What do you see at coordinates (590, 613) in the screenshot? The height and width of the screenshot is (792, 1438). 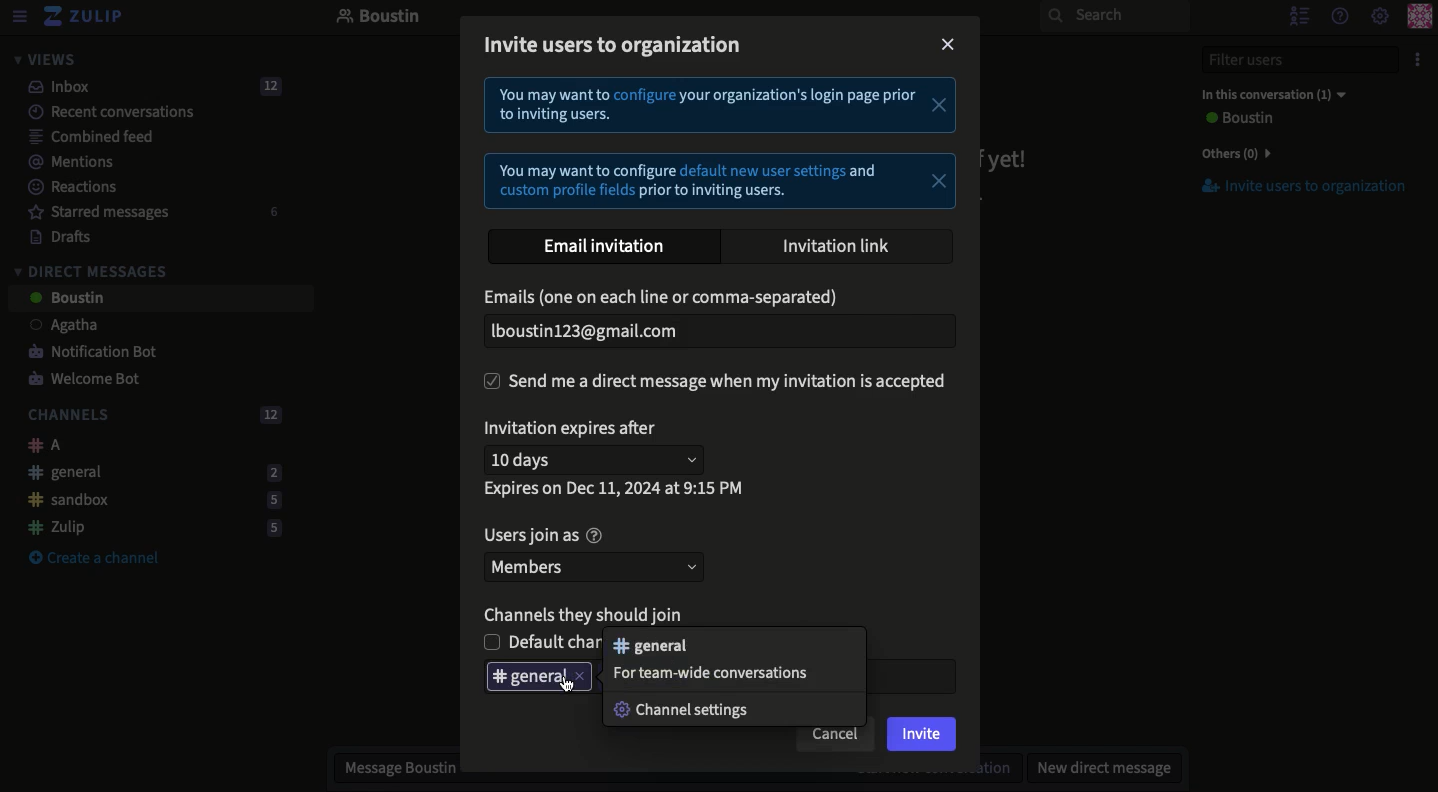 I see `Channels they should join` at bounding box center [590, 613].